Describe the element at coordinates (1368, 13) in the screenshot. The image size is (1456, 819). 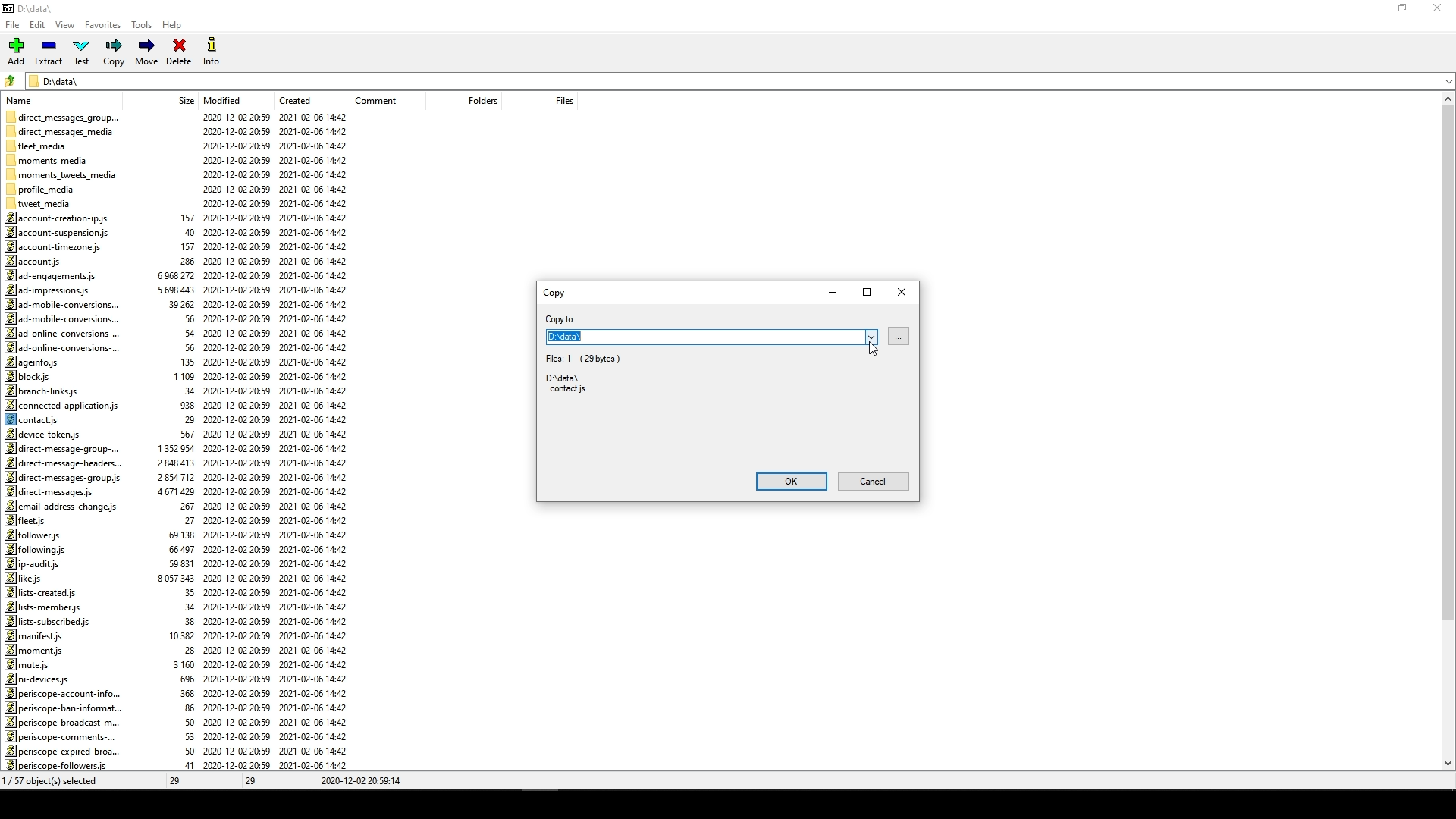
I see `minimize` at that location.